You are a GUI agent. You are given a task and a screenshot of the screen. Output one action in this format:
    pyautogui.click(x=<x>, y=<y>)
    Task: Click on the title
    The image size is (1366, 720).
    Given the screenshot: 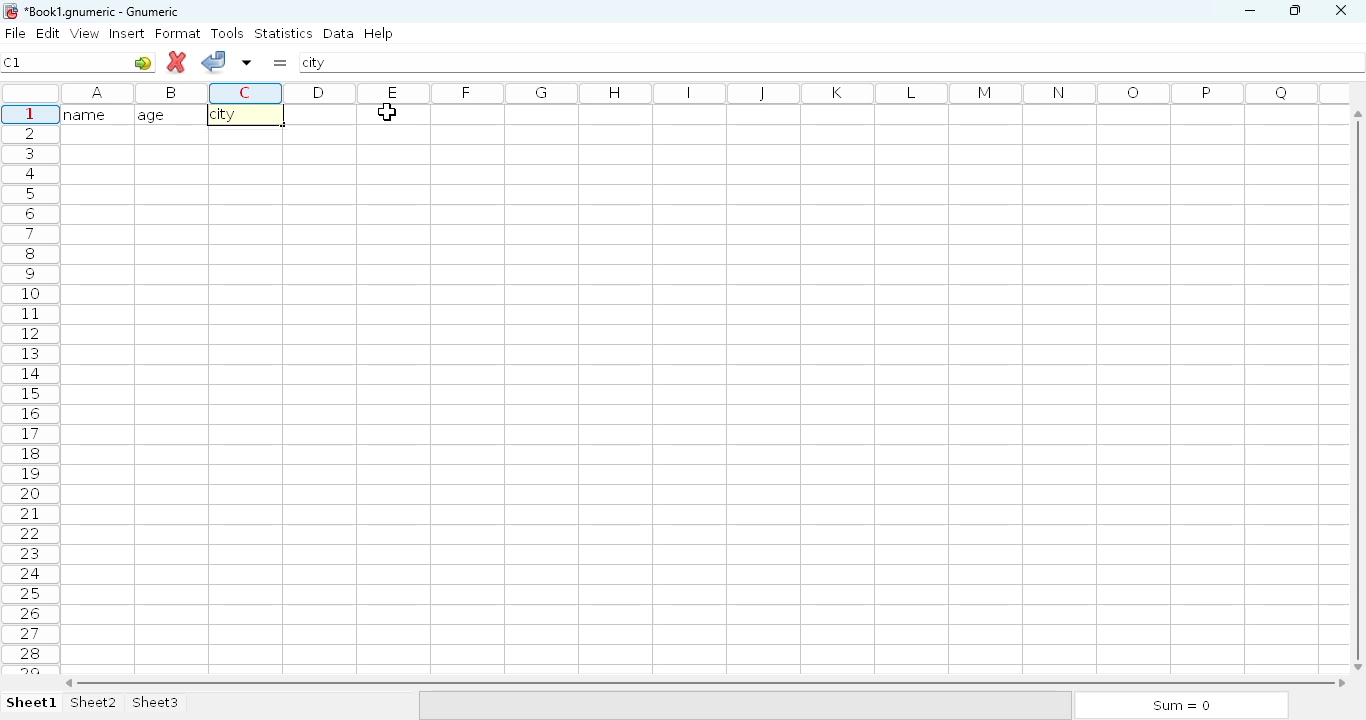 What is the action you would take?
    pyautogui.click(x=103, y=12)
    